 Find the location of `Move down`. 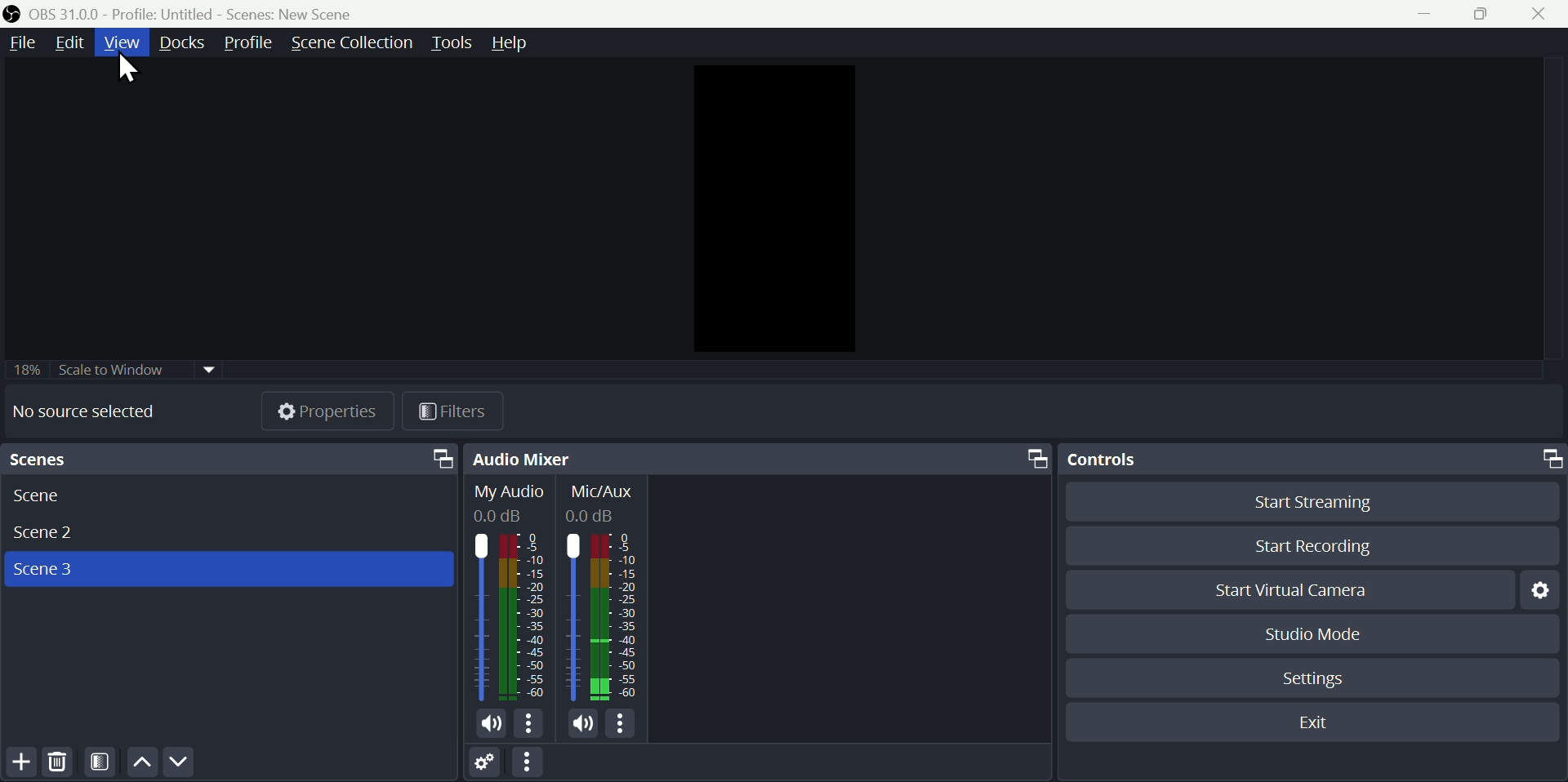

Move down is located at coordinates (177, 763).